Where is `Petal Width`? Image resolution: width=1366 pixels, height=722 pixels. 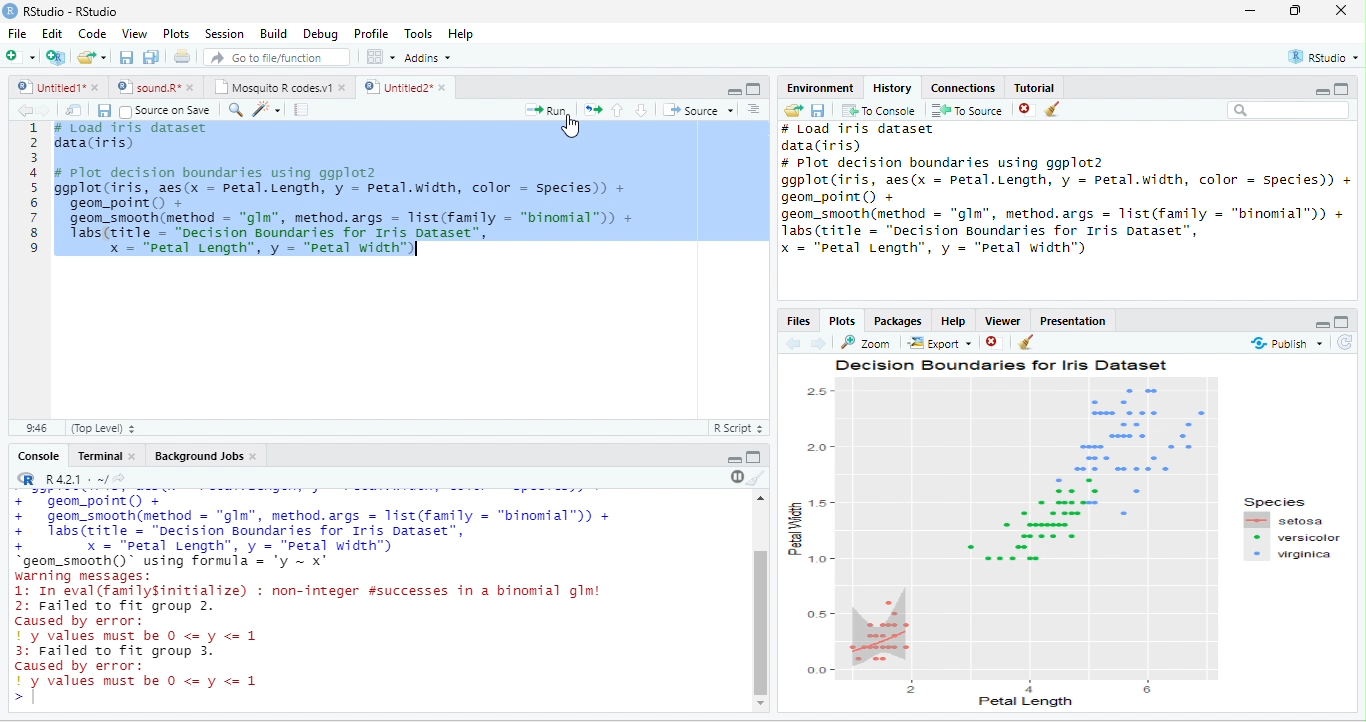
Petal Width is located at coordinates (793, 527).